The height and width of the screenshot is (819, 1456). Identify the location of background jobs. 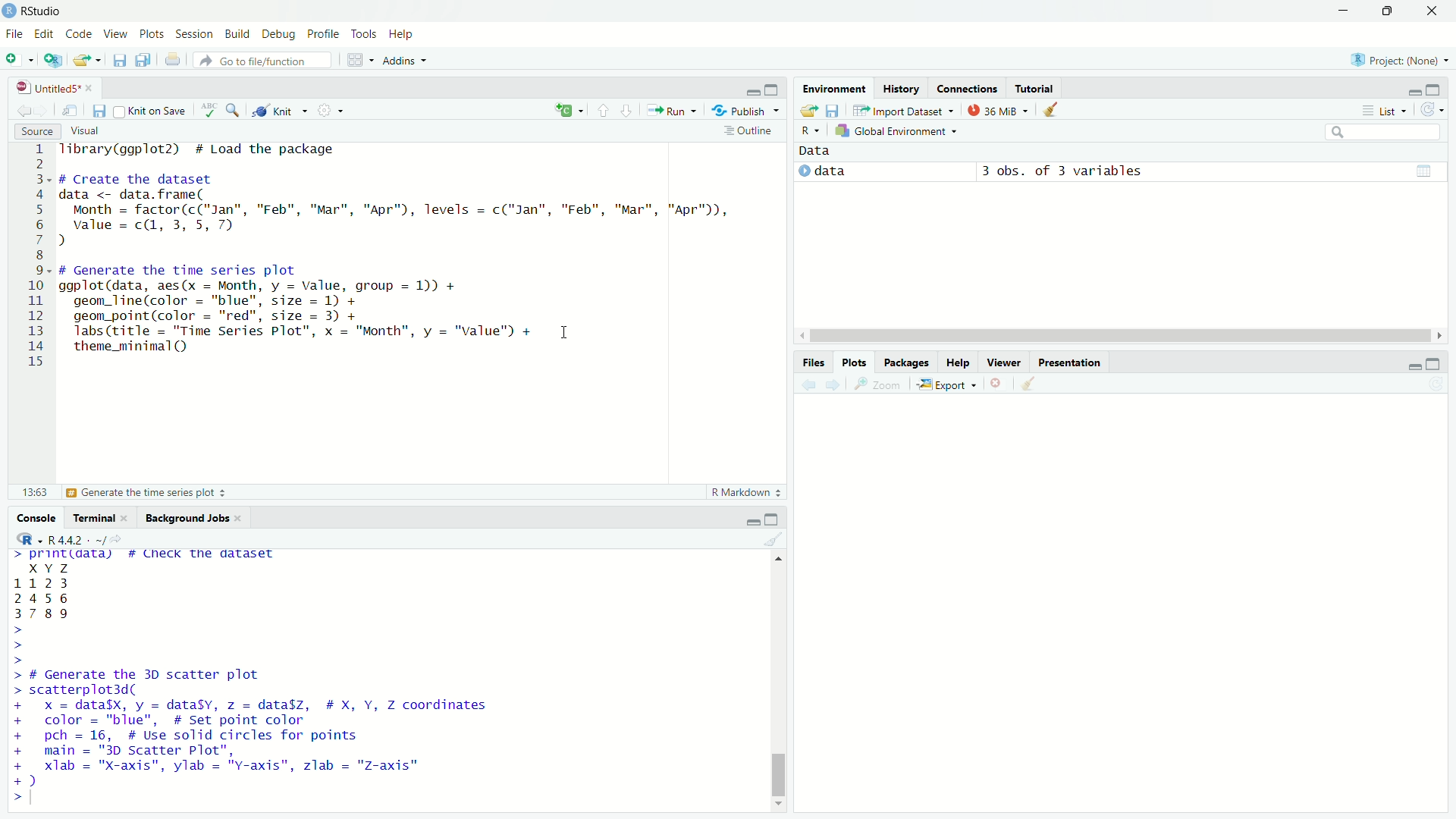
(186, 518).